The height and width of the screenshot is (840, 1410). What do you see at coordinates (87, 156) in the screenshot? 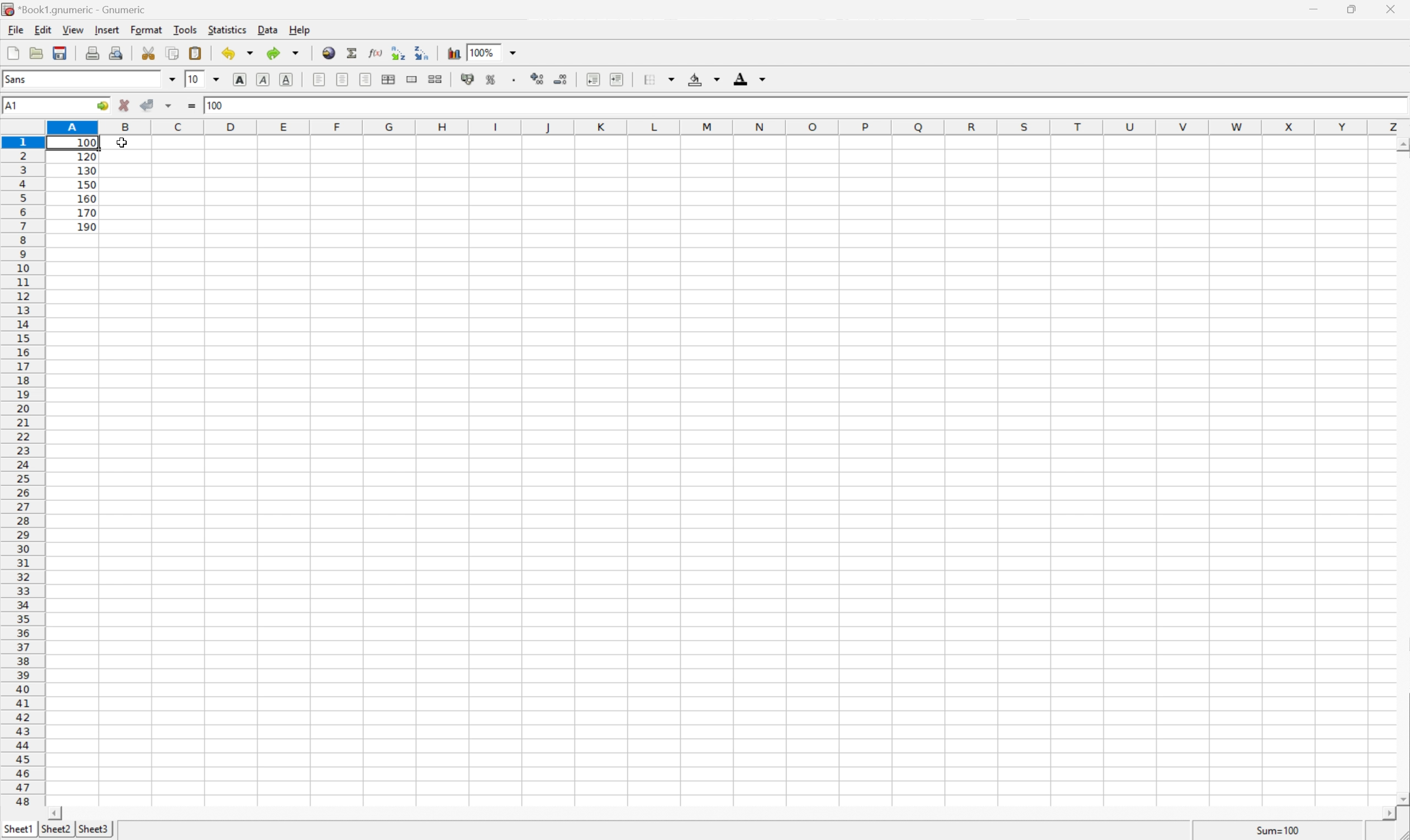
I see `120` at bounding box center [87, 156].